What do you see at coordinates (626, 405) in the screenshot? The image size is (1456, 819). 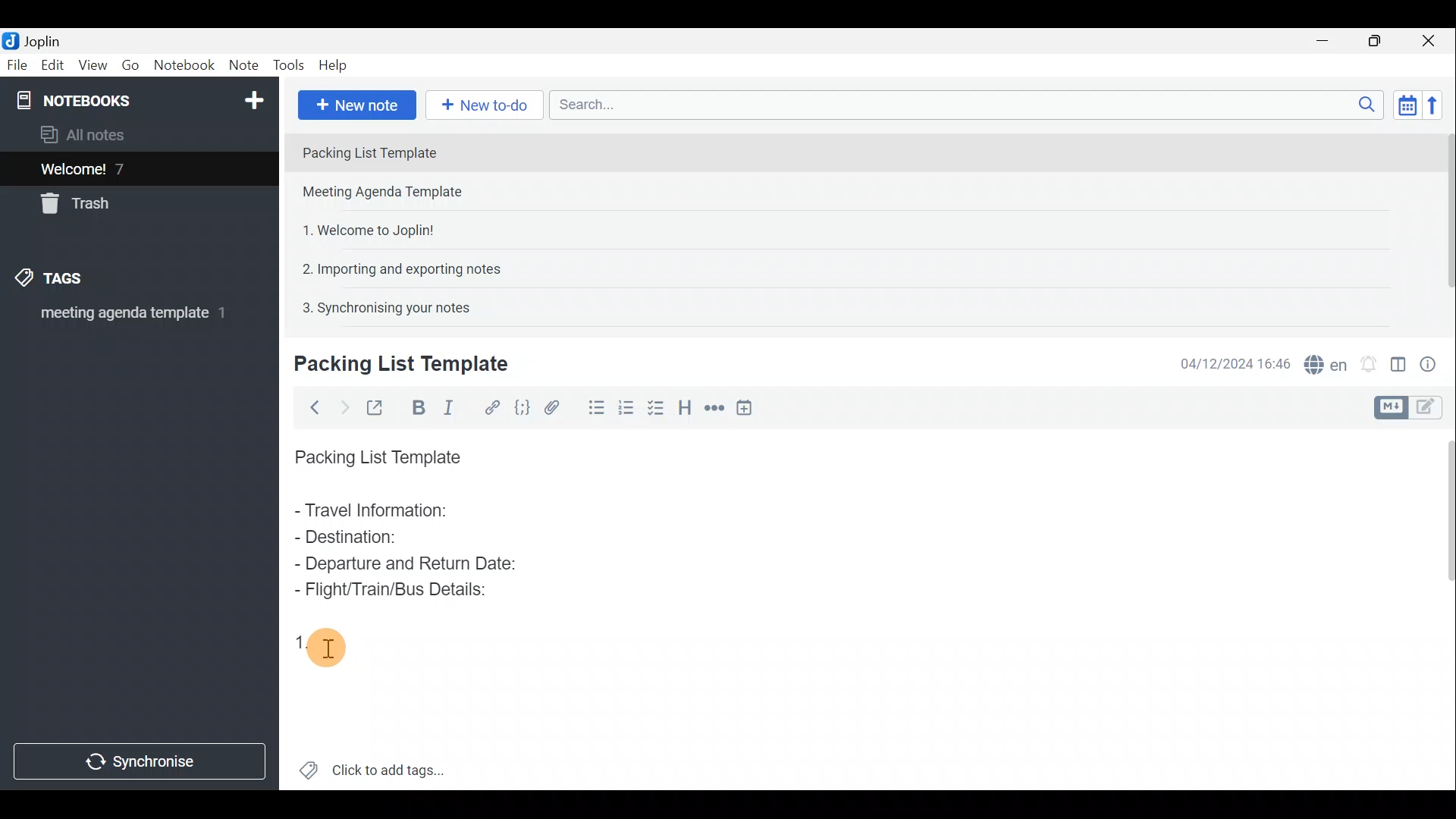 I see `Checkbox` at bounding box center [626, 405].